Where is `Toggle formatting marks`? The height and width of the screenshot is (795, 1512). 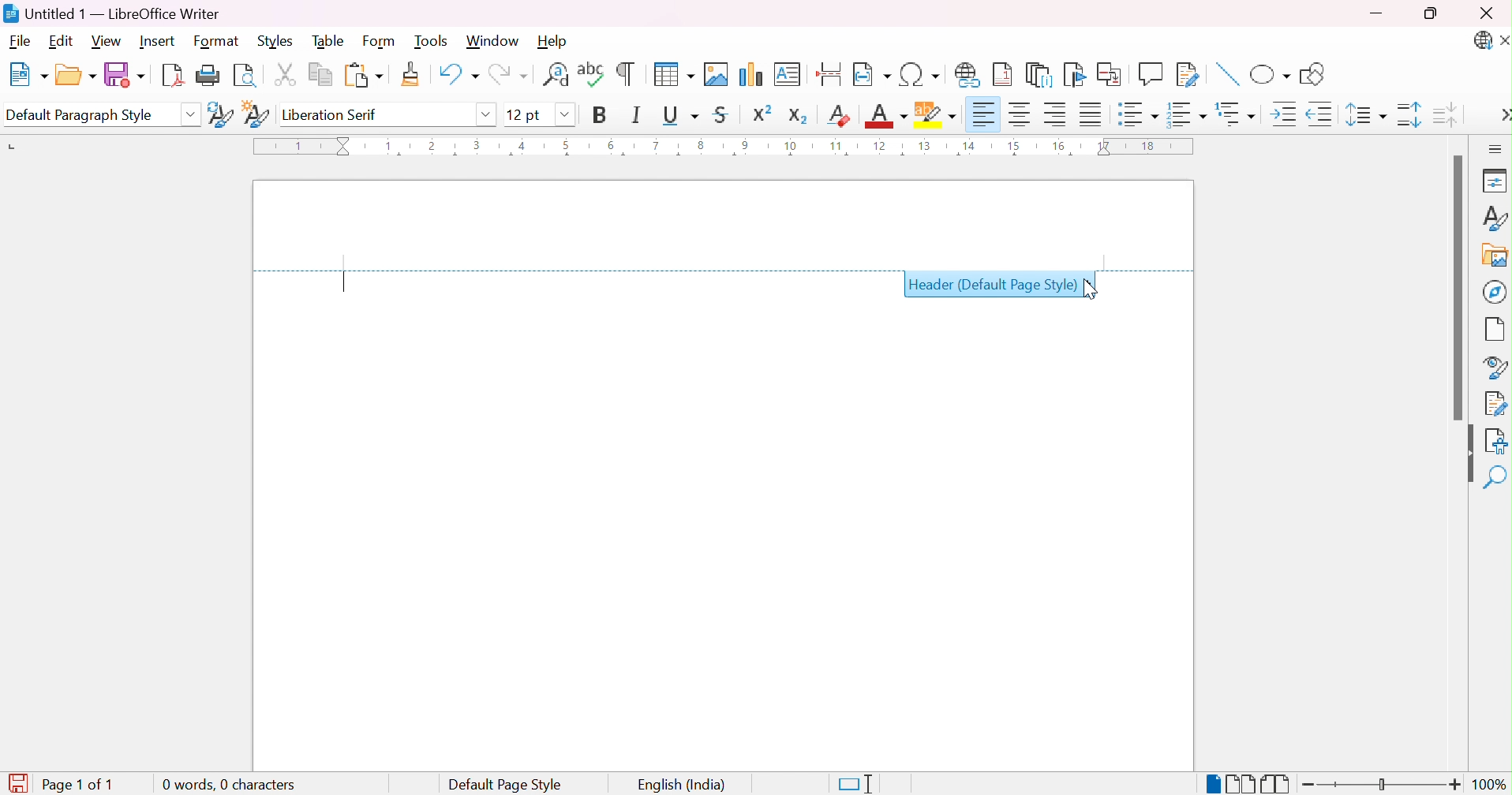
Toggle formatting marks is located at coordinates (626, 73).